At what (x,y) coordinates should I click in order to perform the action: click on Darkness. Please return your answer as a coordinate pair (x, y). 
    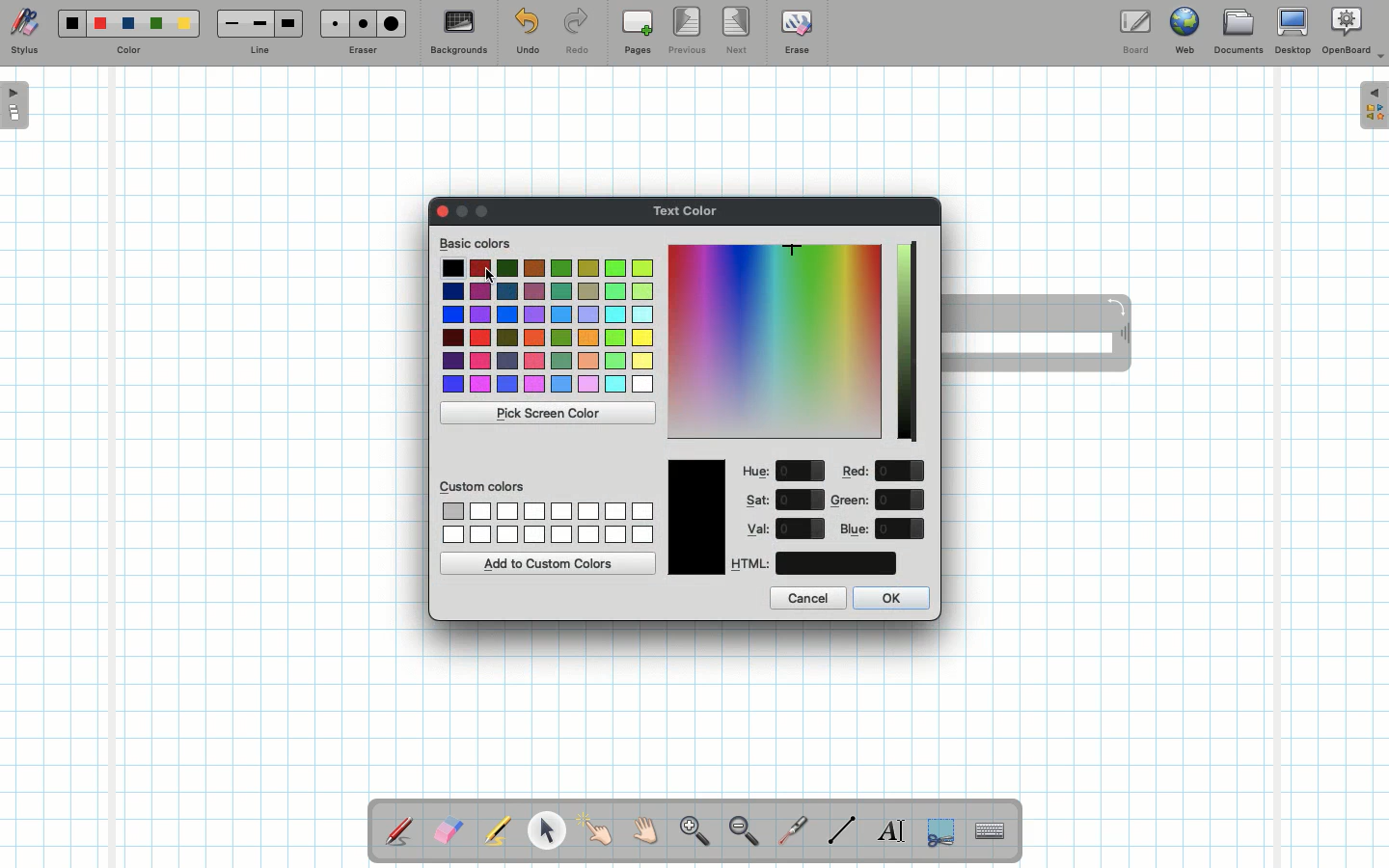
    Looking at the image, I should click on (912, 343).